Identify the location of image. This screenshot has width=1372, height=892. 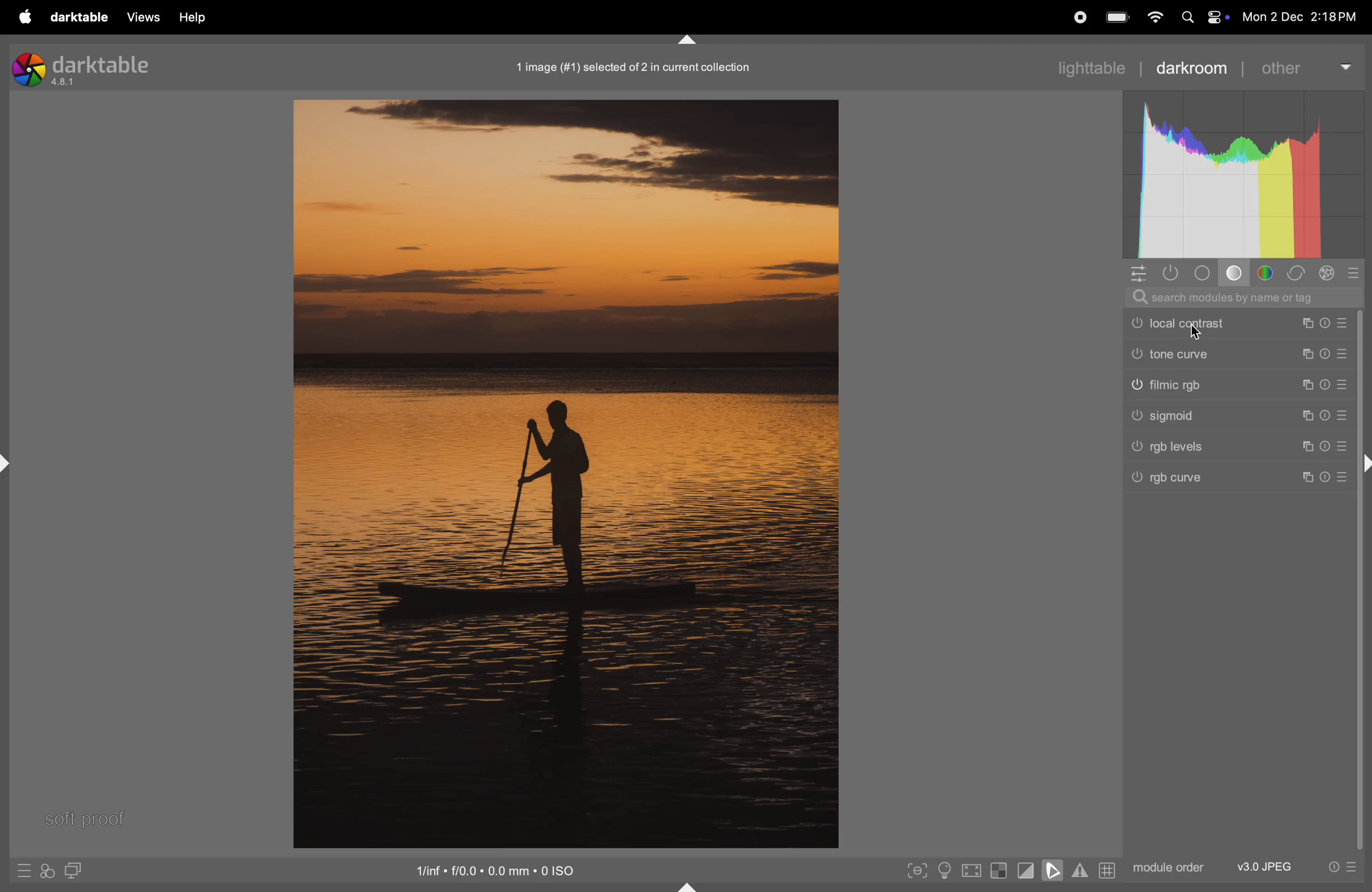
(564, 476).